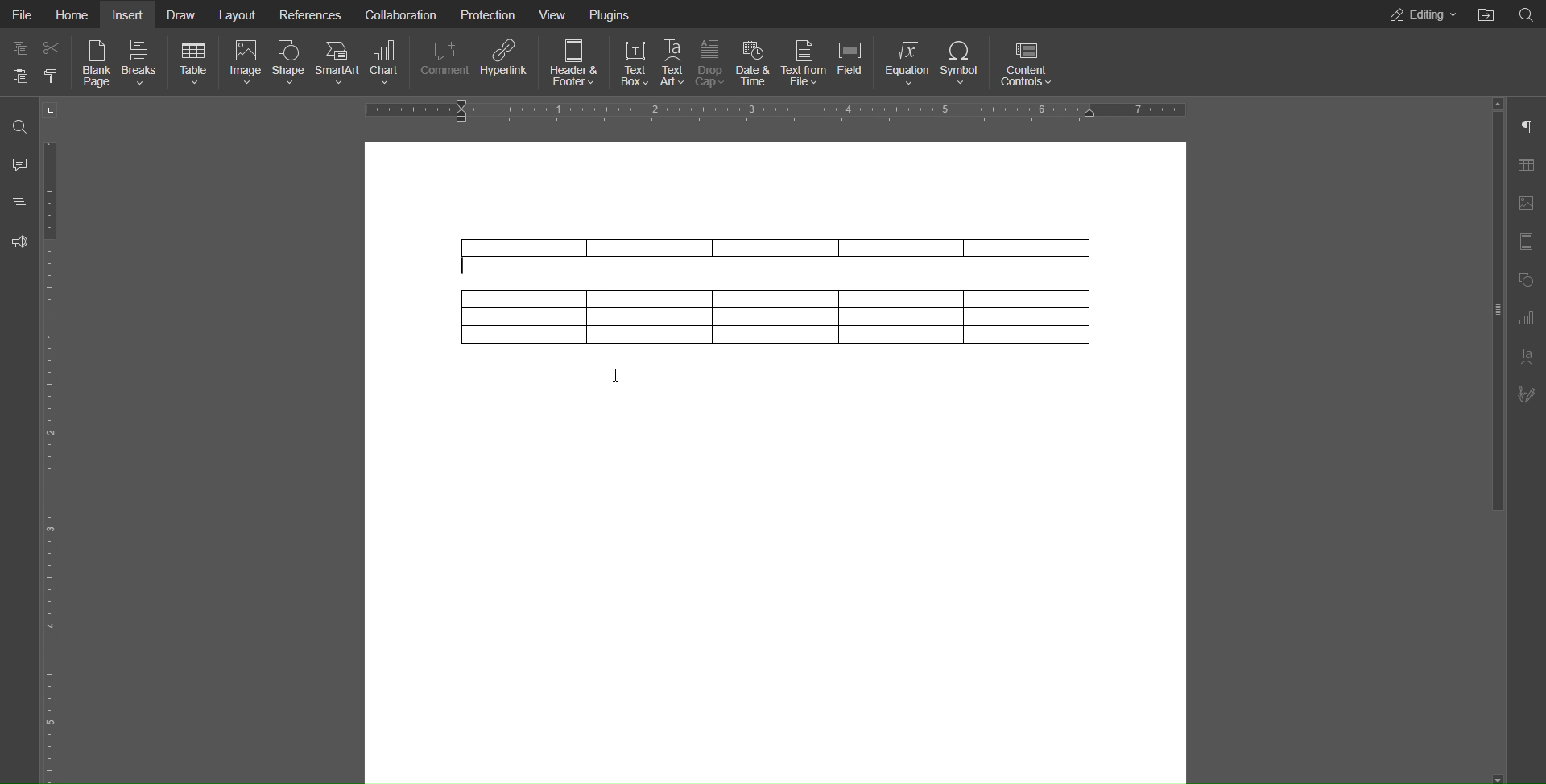 This screenshot has width=1546, height=784. What do you see at coordinates (1483, 14) in the screenshot?
I see `Open File Location` at bounding box center [1483, 14].